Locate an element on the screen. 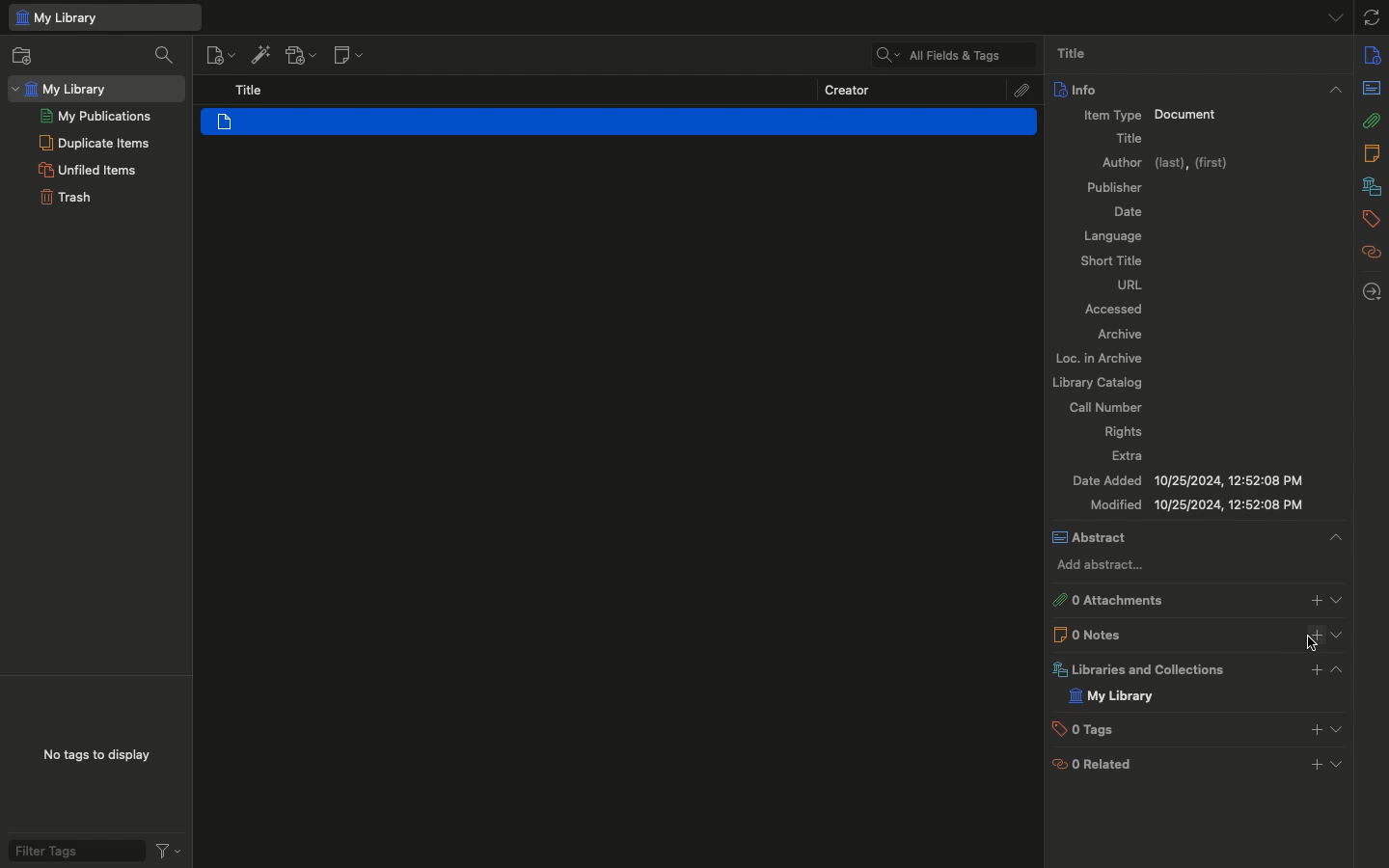 This screenshot has height=868, width=1389. Tags is located at coordinates (1079, 730).